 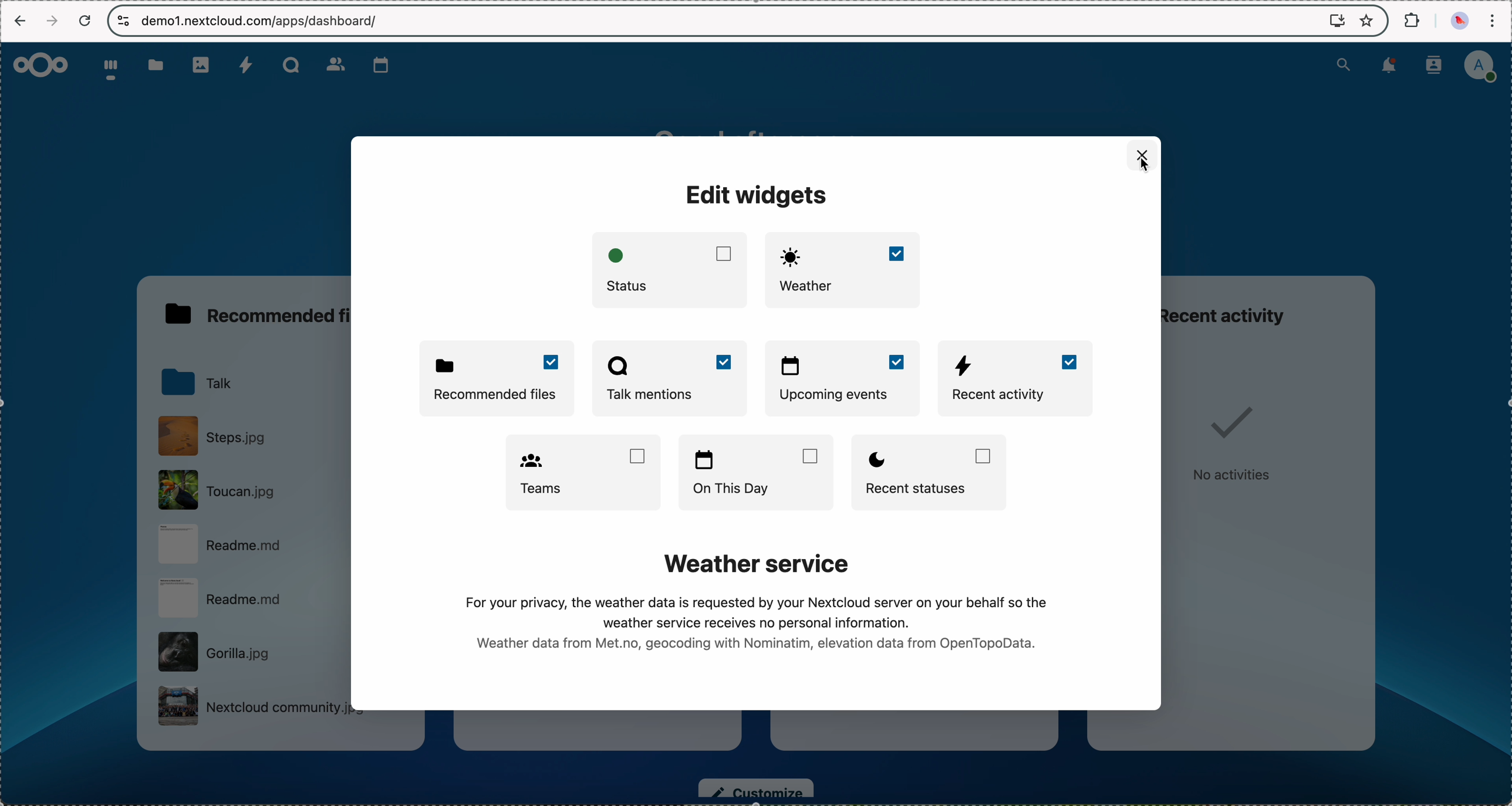 I want to click on good afternoon, so click(x=765, y=127).